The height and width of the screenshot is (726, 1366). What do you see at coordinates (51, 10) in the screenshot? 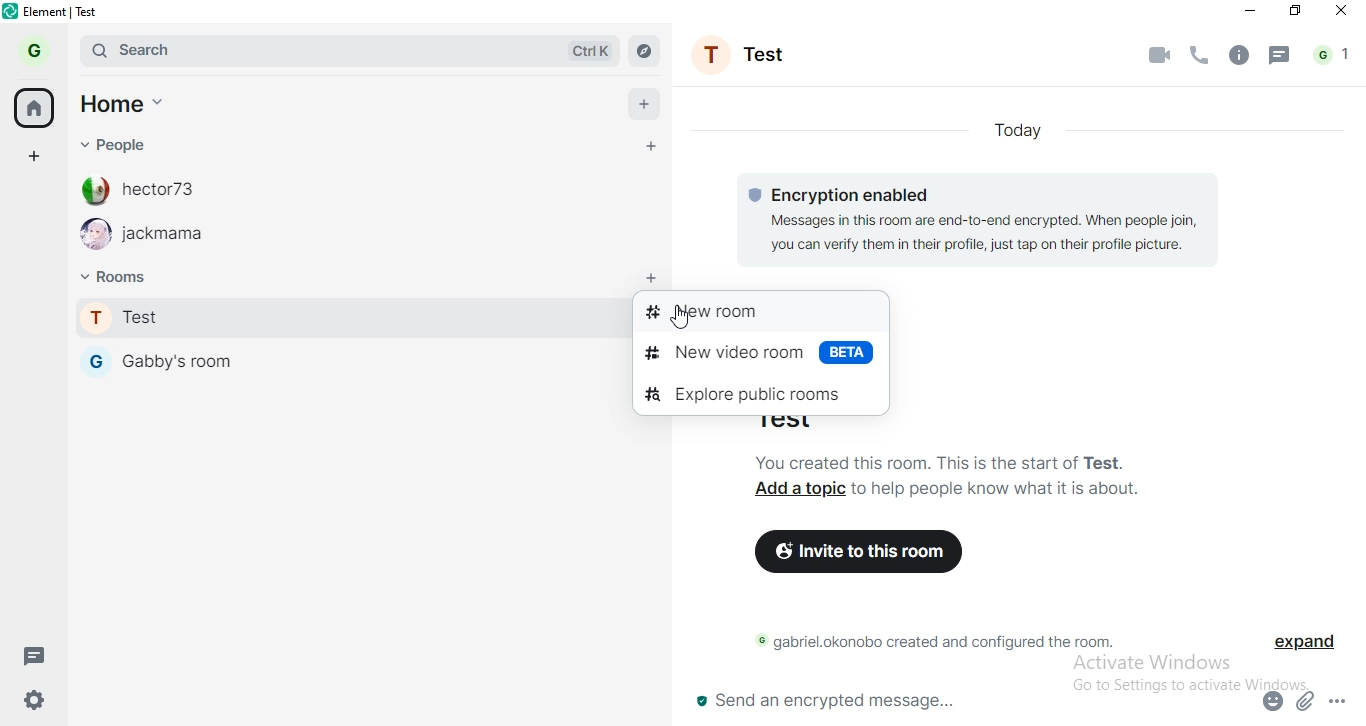
I see `element | test` at bounding box center [51, 10].